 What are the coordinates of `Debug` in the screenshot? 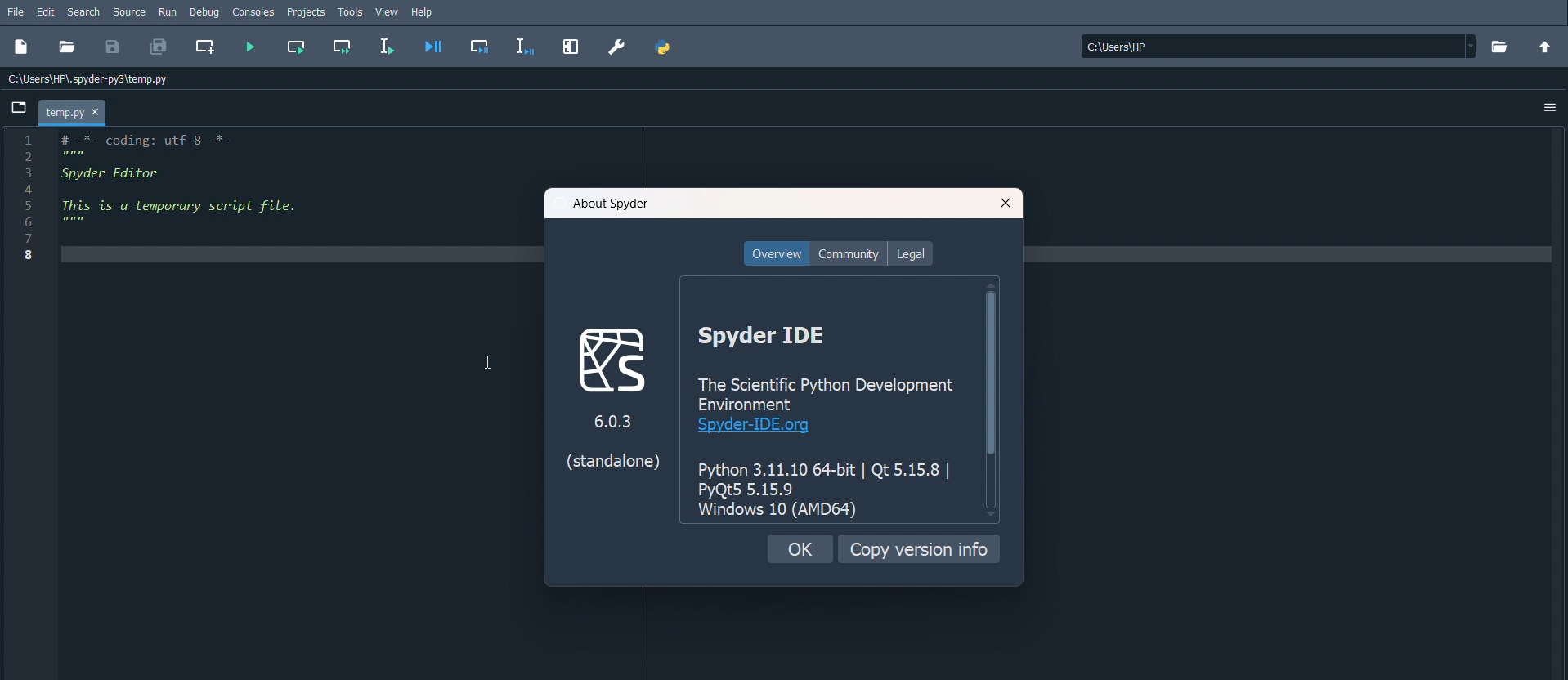 It's located at (204, 11).